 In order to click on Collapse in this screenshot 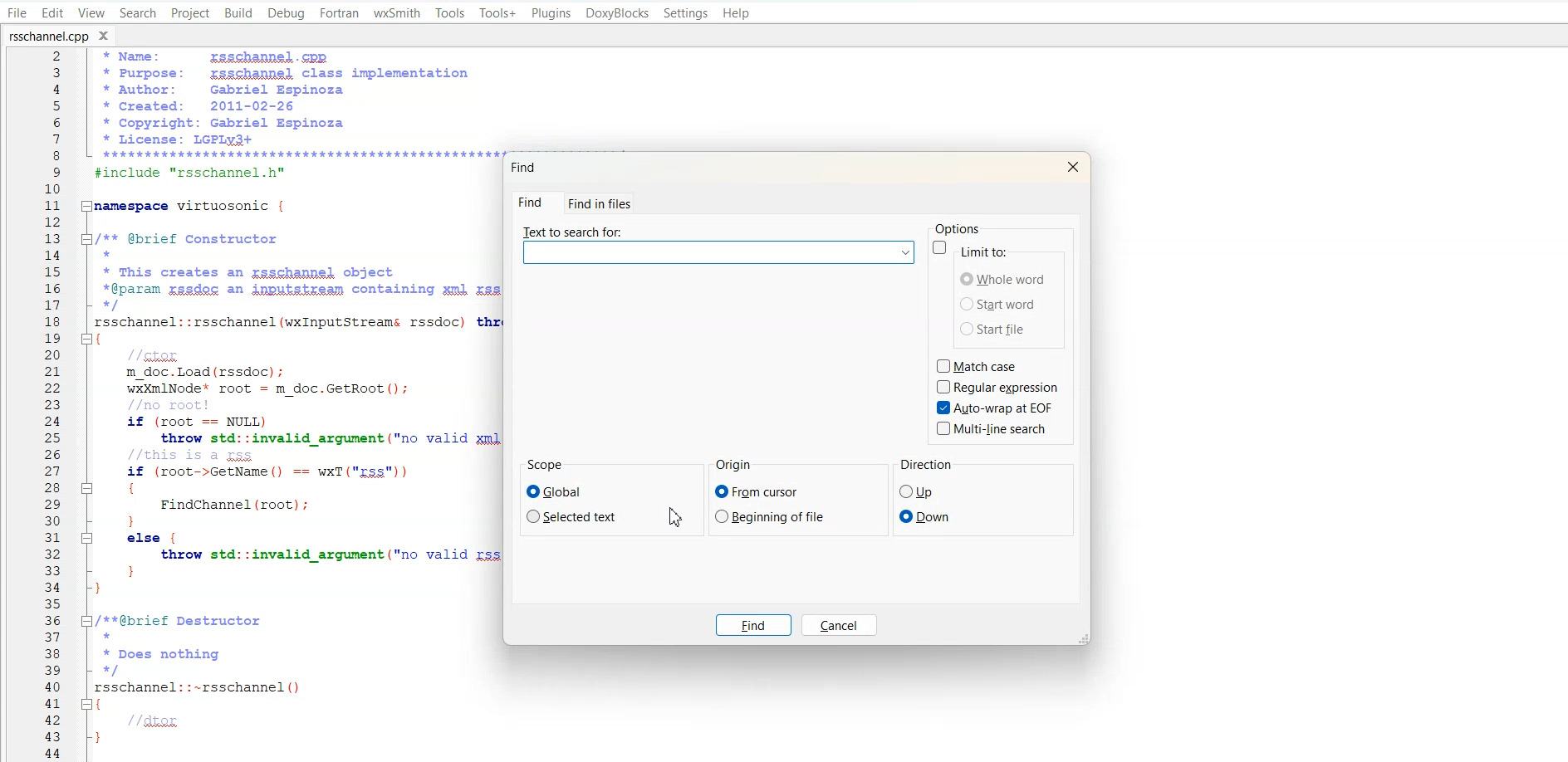, I will do `click(87, 338)`.